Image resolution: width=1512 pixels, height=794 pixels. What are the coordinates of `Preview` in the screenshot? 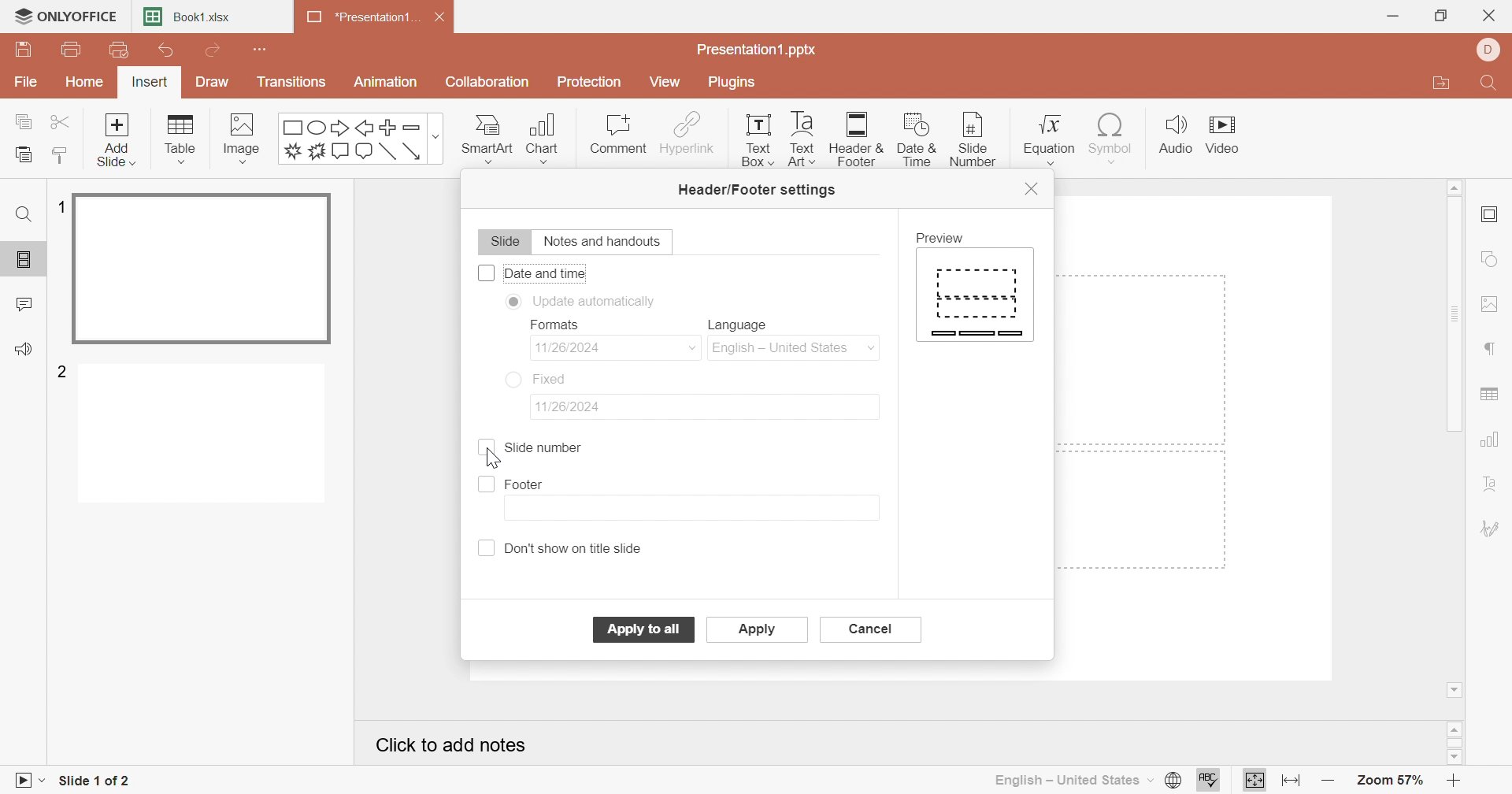 It's located at (944, 238).